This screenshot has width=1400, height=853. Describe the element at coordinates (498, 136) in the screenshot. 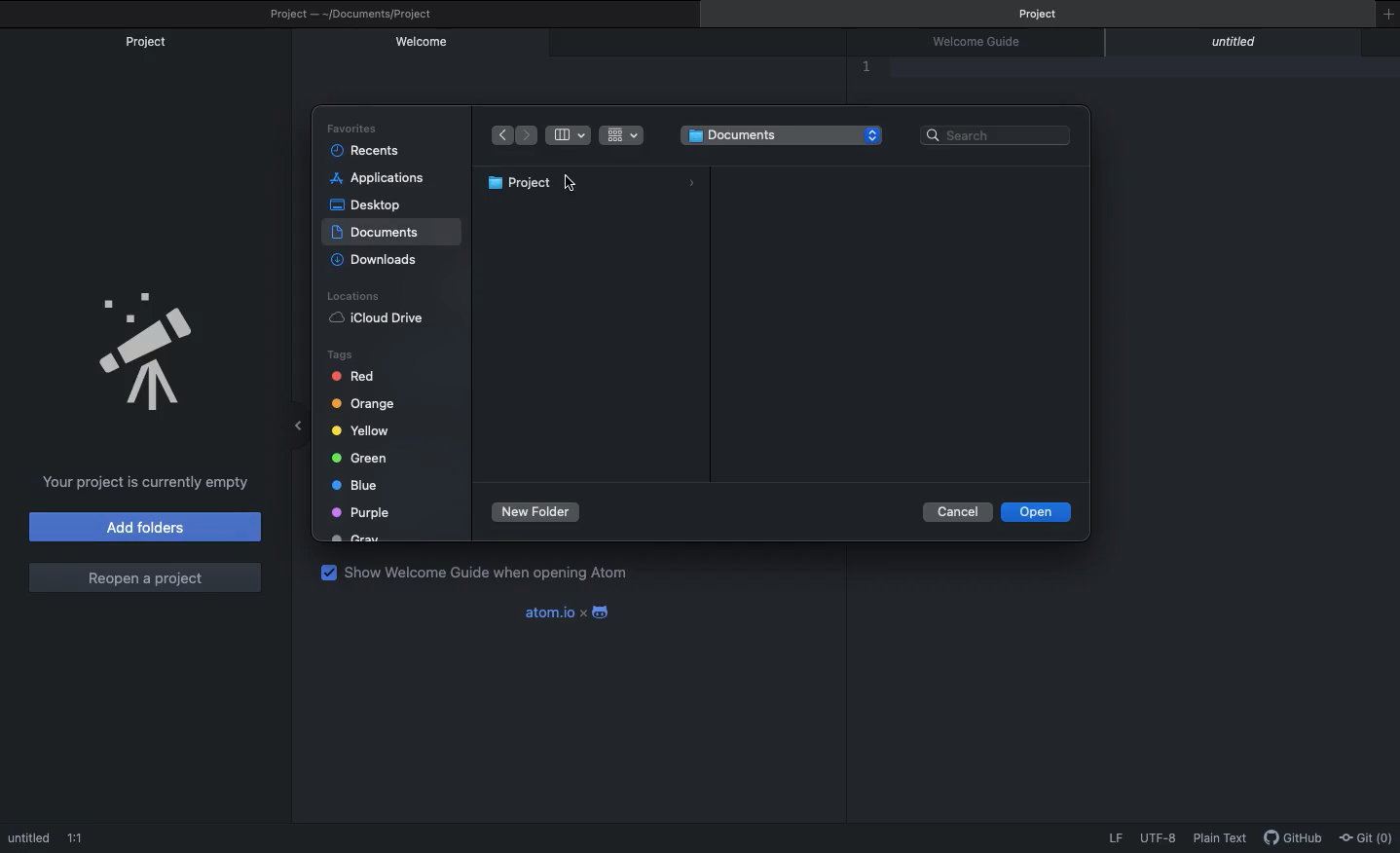

I see `Back` at that location.